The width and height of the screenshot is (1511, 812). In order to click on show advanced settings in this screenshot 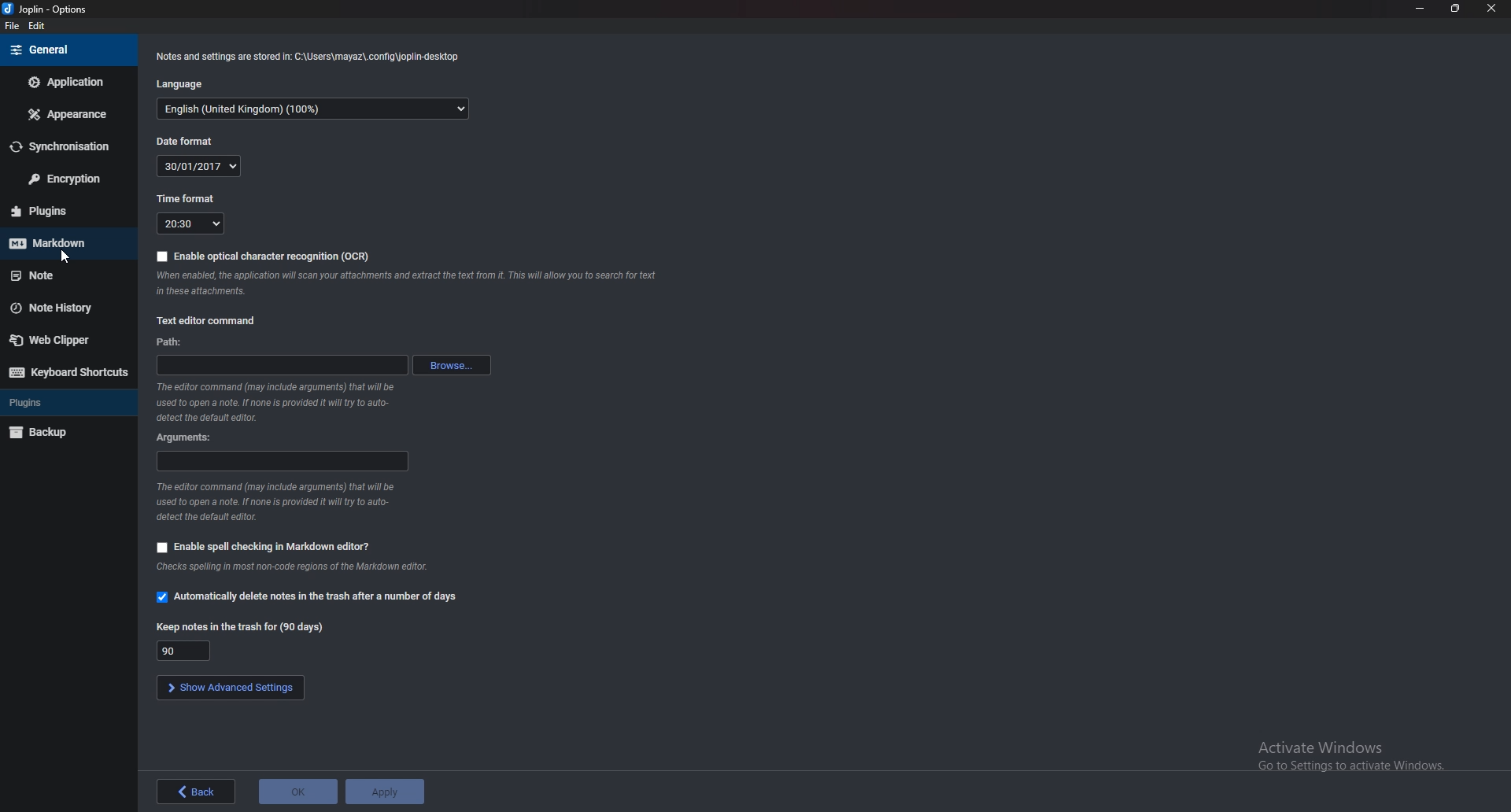, I will do `click(229, 687)`.